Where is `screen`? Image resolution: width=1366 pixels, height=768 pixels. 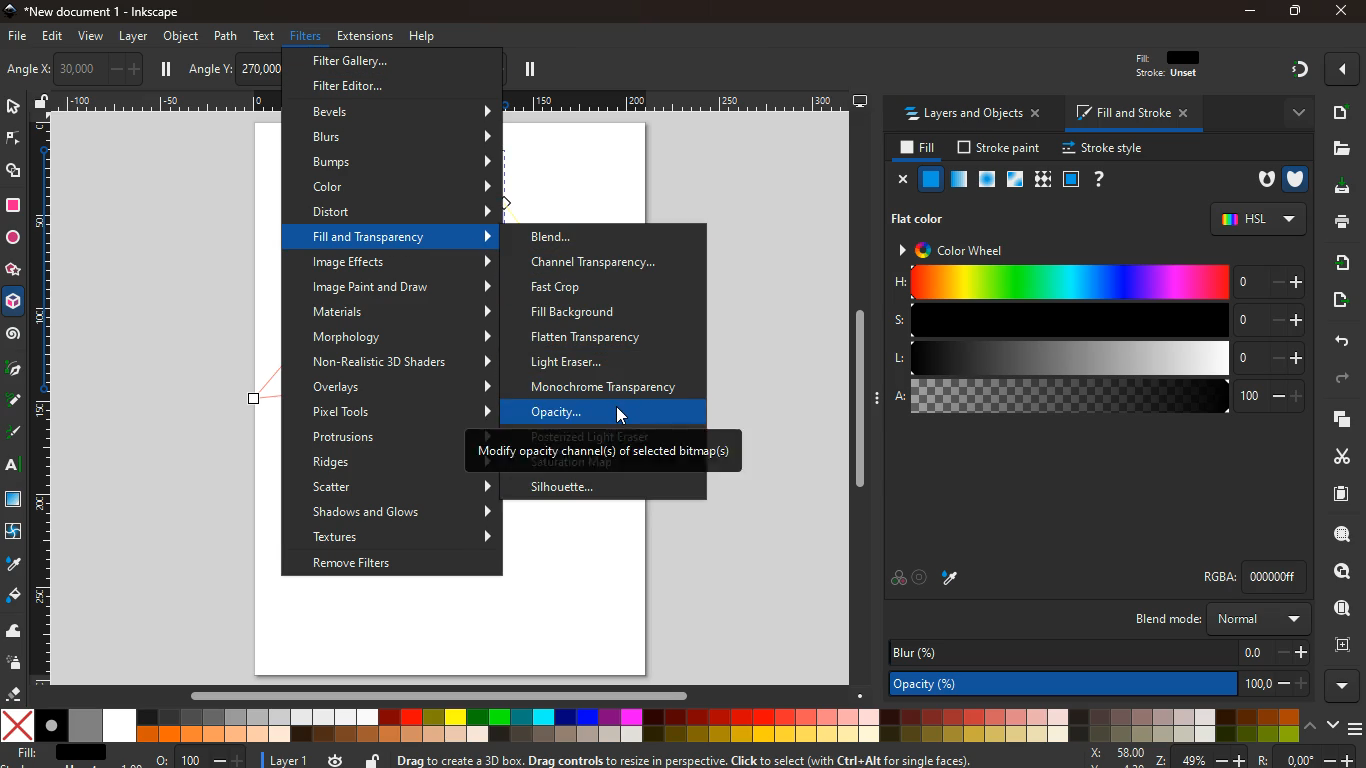 screen is located at coordinates (16, 502).